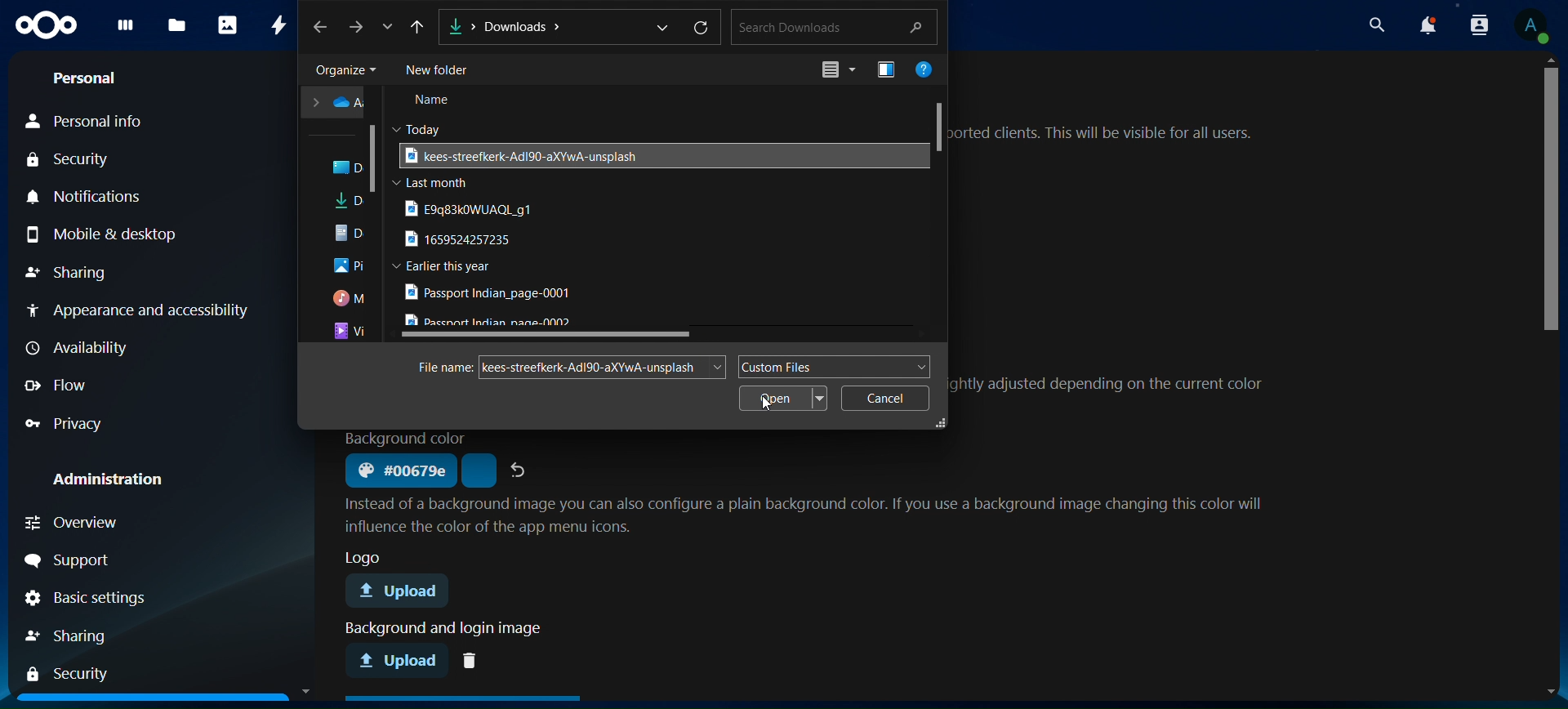  What do you see at coordinates (474, 659) in the screenshot?
I see `delete` at bounding box center [474, 659].